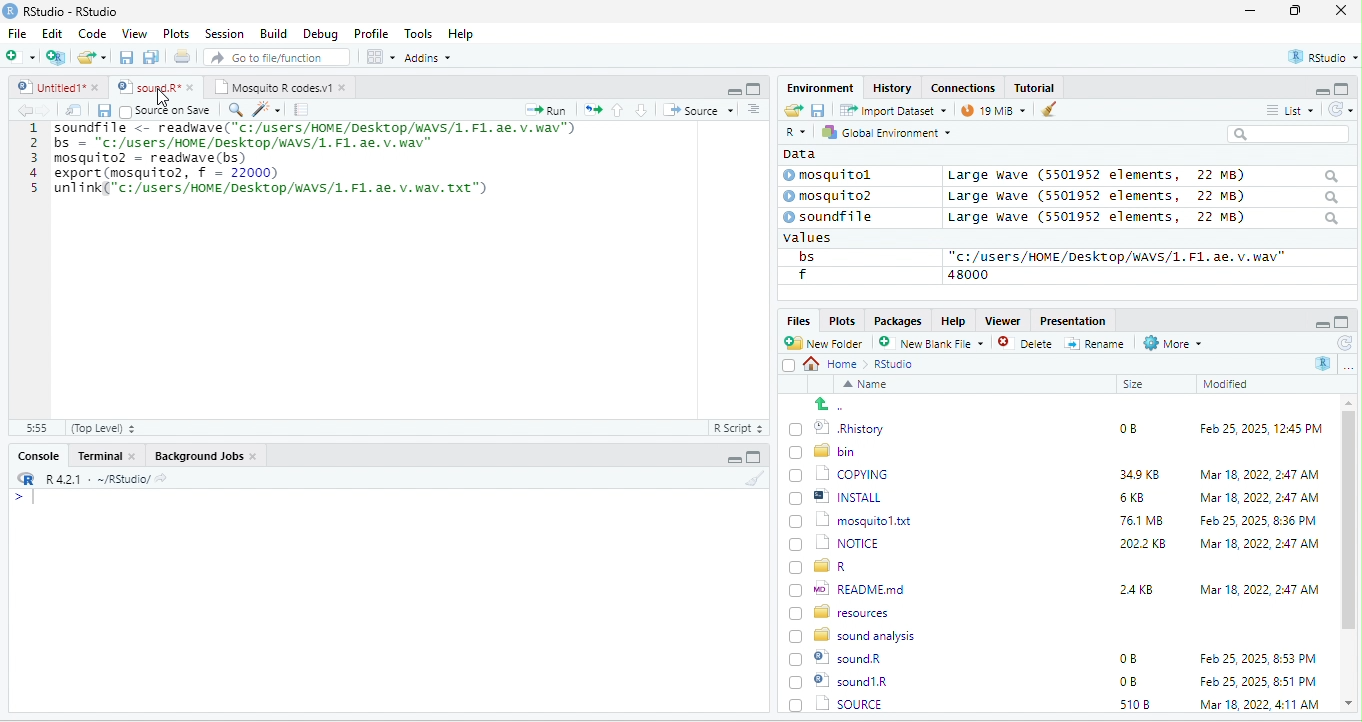  I want to click on bs, so click(803, 256).